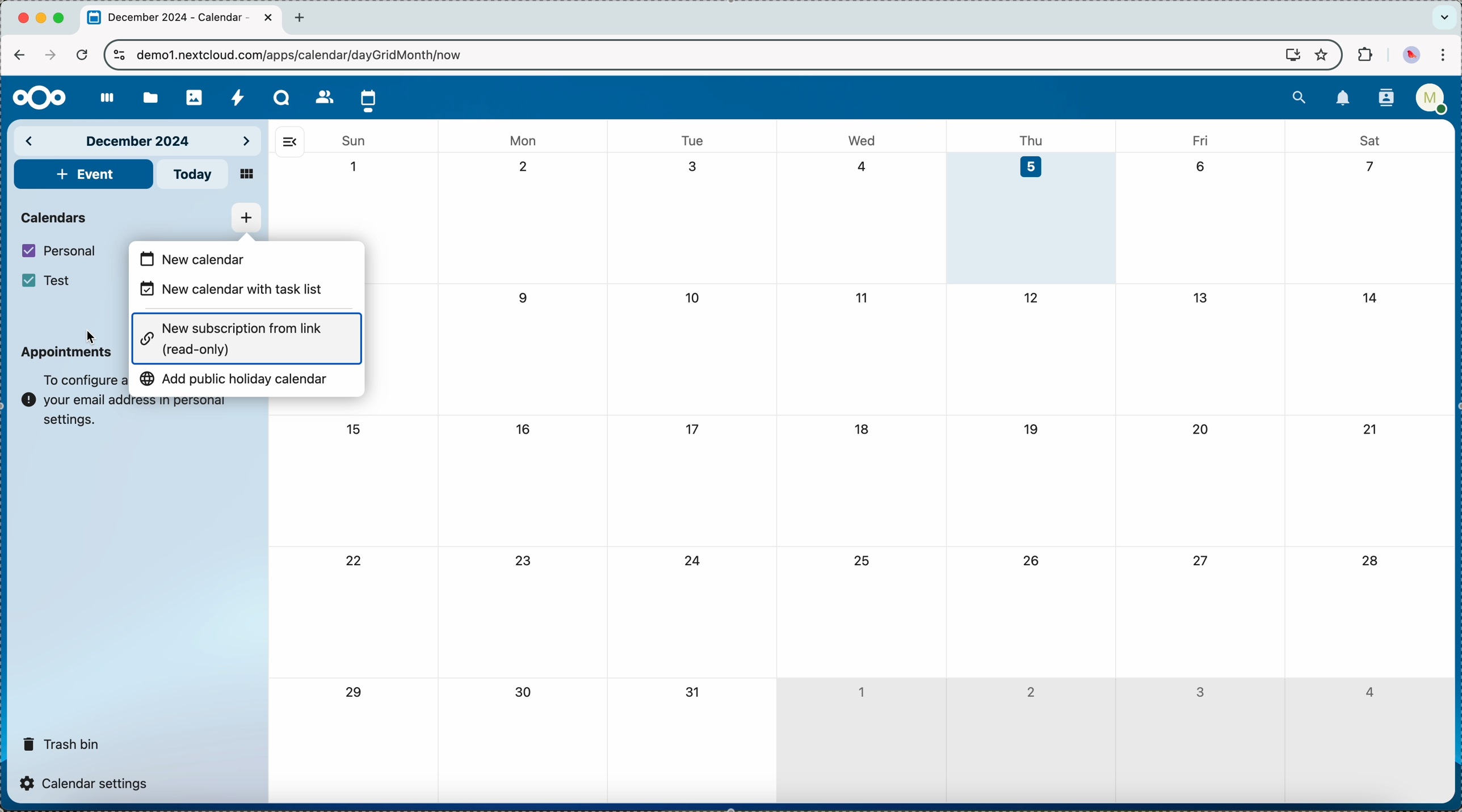 This screenshot has height=812, width=1462. I want to click on 2, so click(1031, 691).